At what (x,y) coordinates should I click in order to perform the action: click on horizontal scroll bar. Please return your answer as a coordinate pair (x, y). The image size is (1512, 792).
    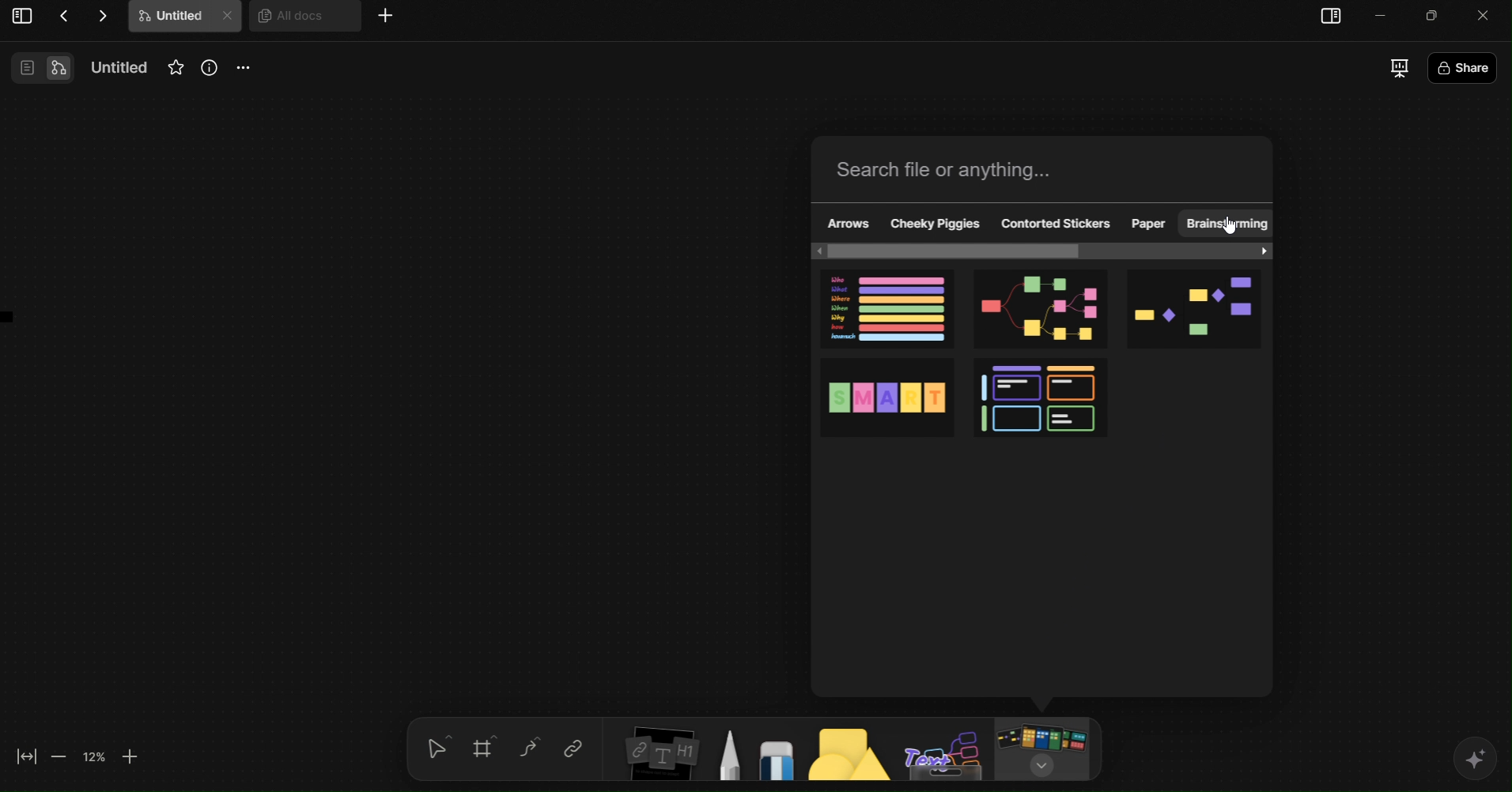
    Looking at the image, I should click on (1048, 249).